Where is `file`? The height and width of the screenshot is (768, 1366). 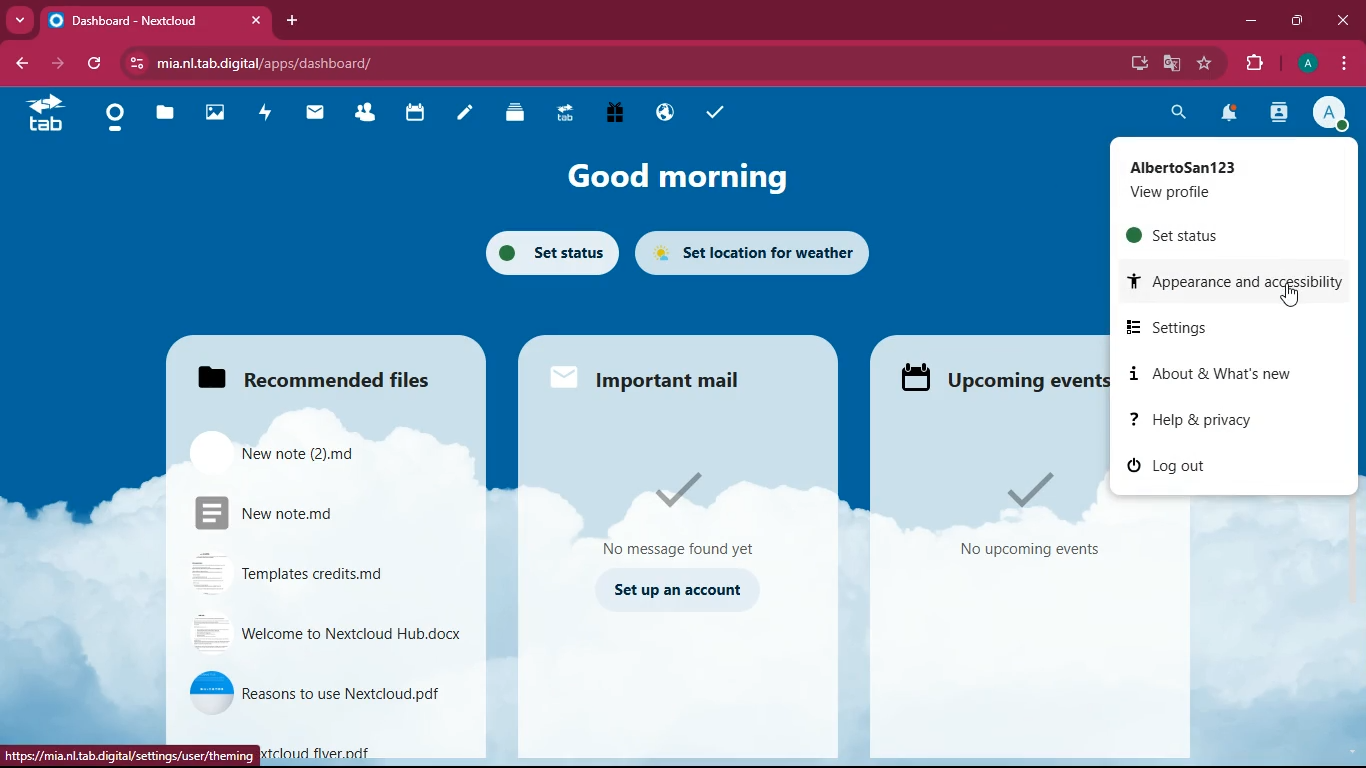 file is located at coordinates (301, 511).